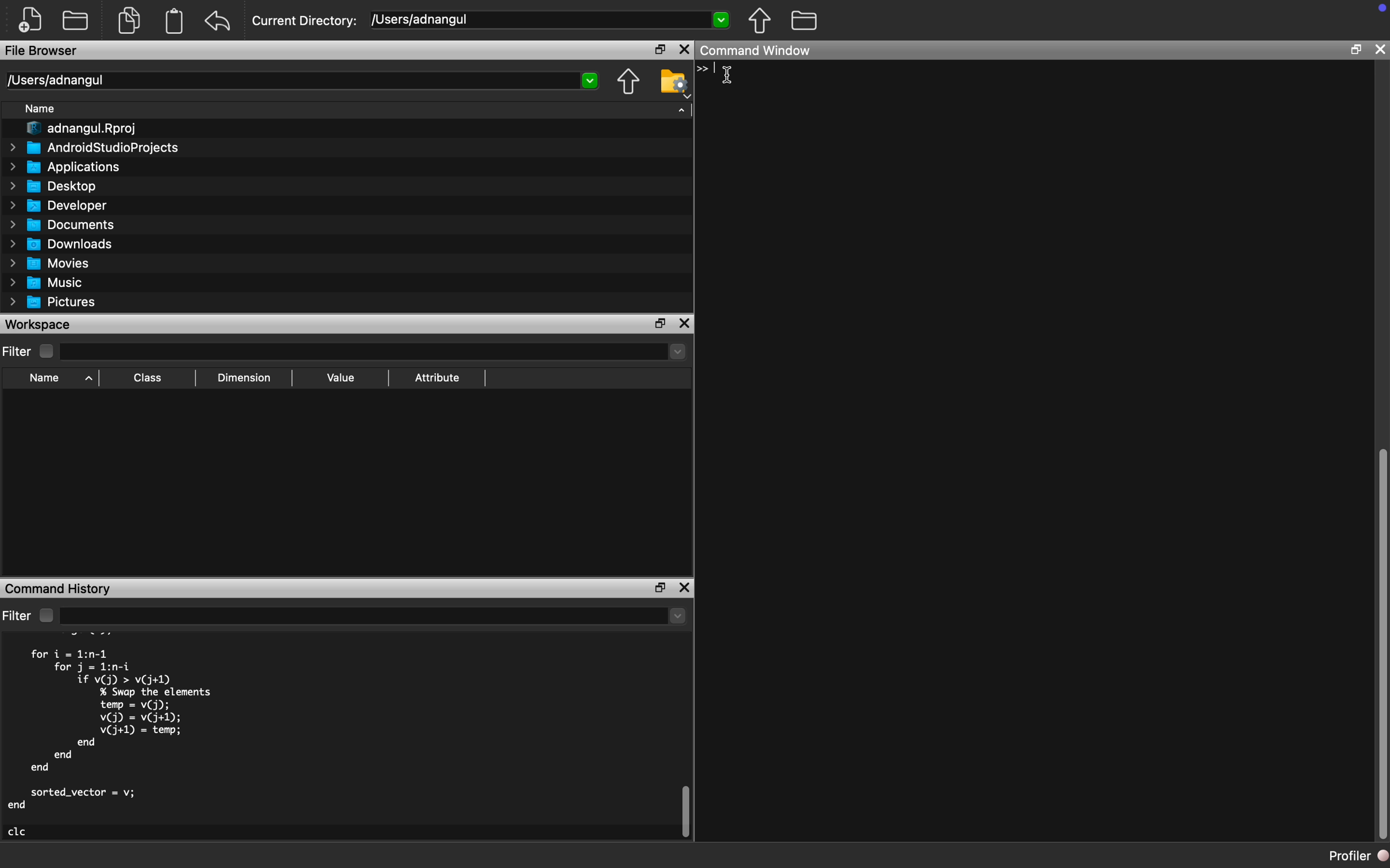  Describe the element at coordinates (1379, 49) in the screenshot. I see `Close` at that location.